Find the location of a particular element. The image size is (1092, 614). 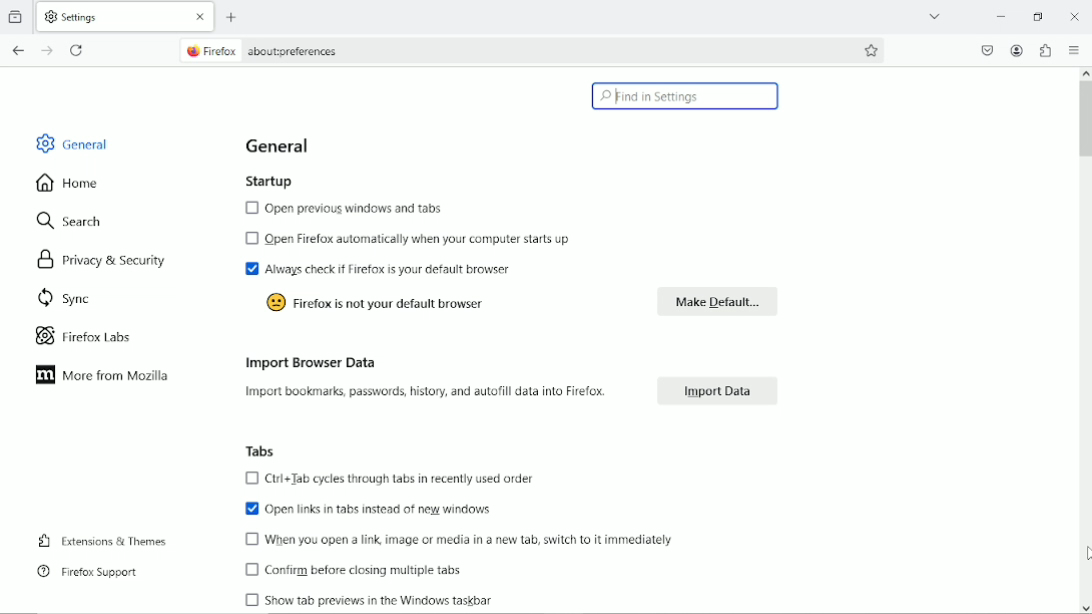

Cursor is located at coordinates (1084, 554).